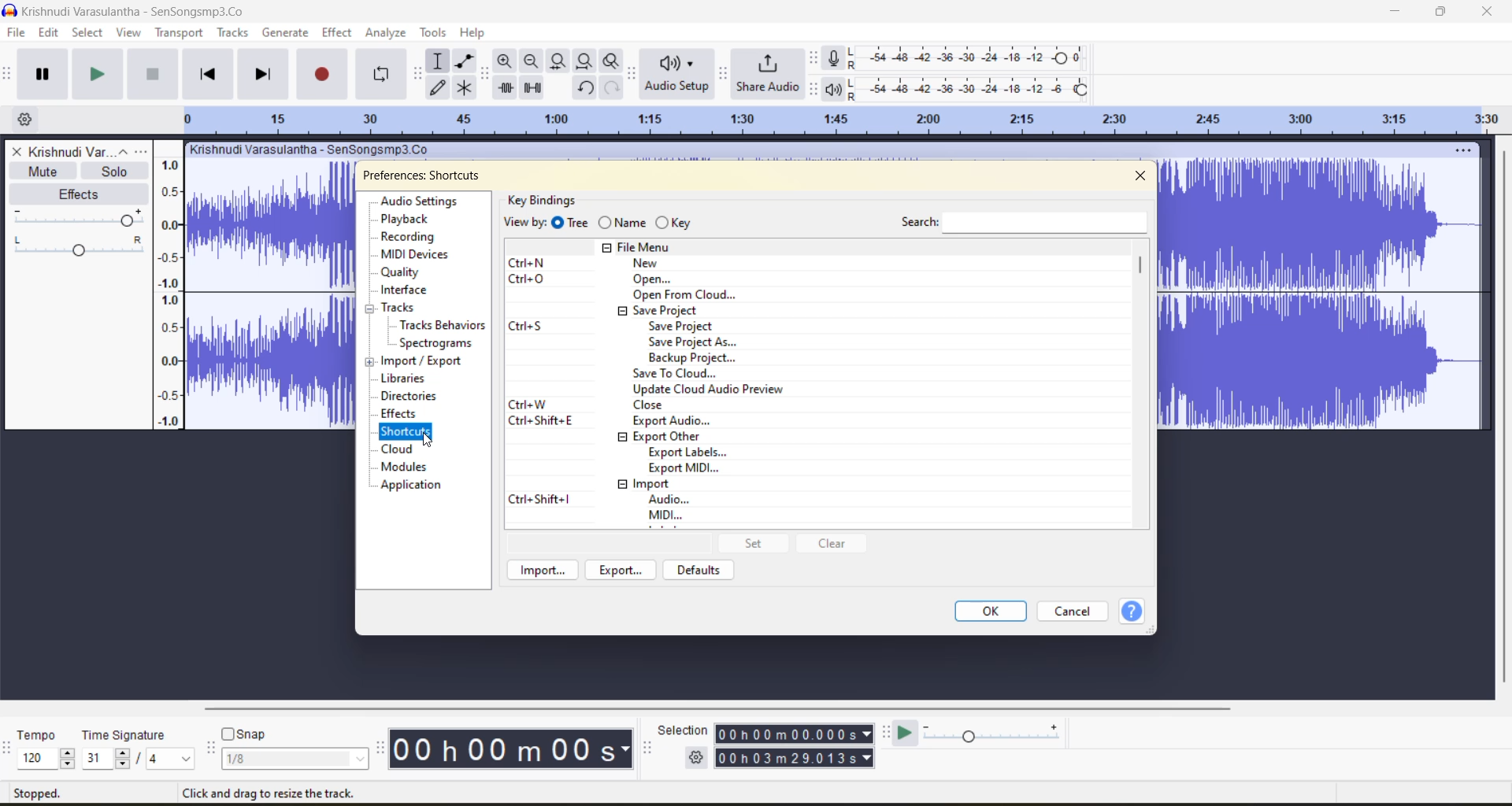 Image resolution: width=1512 pixels, height=806 pixels. Describe the element at coordinates (28, 116) in the screenshot. I see `Timeline options` at that location.